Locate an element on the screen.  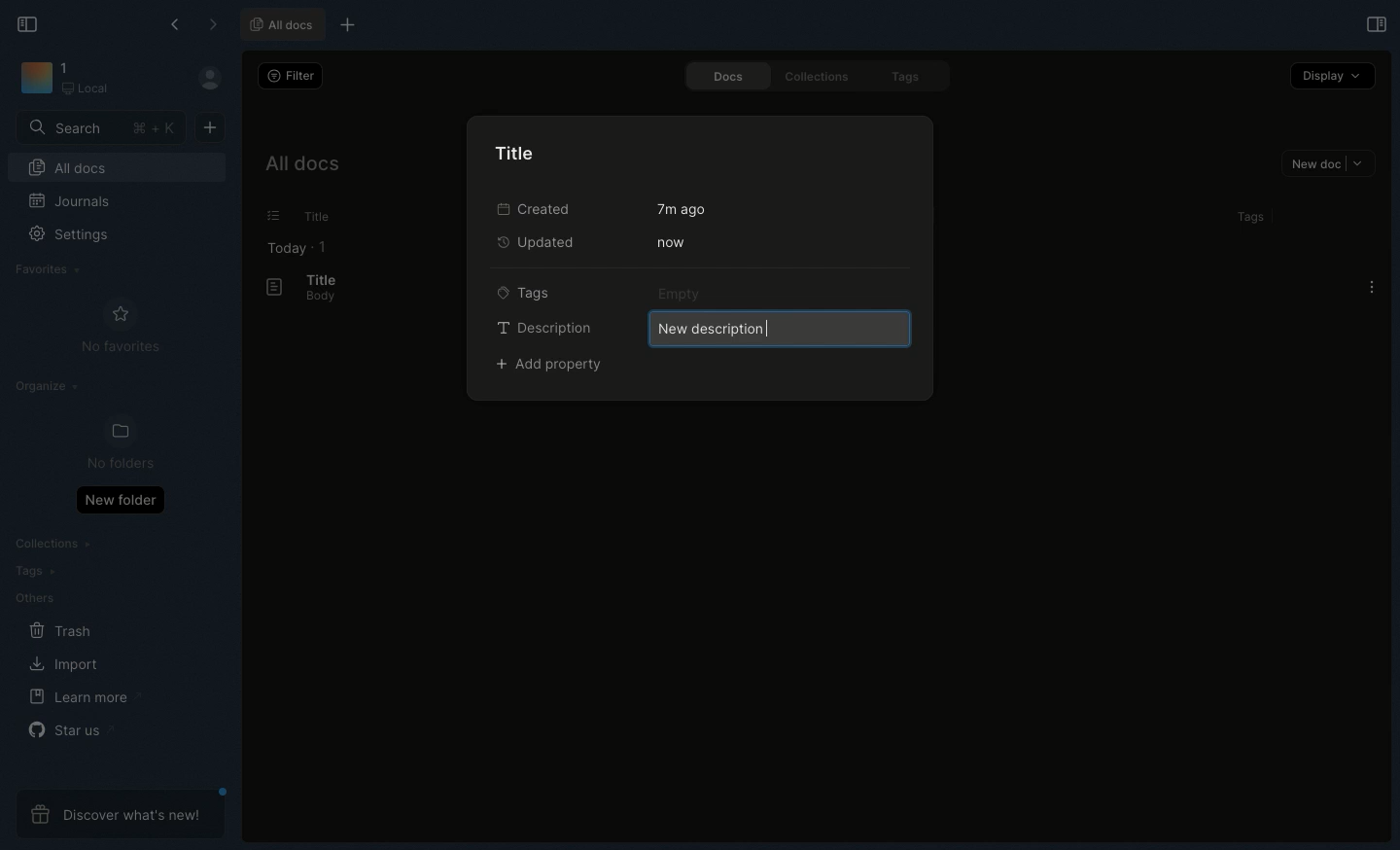
Tags is located at coordinates (1246, 217).